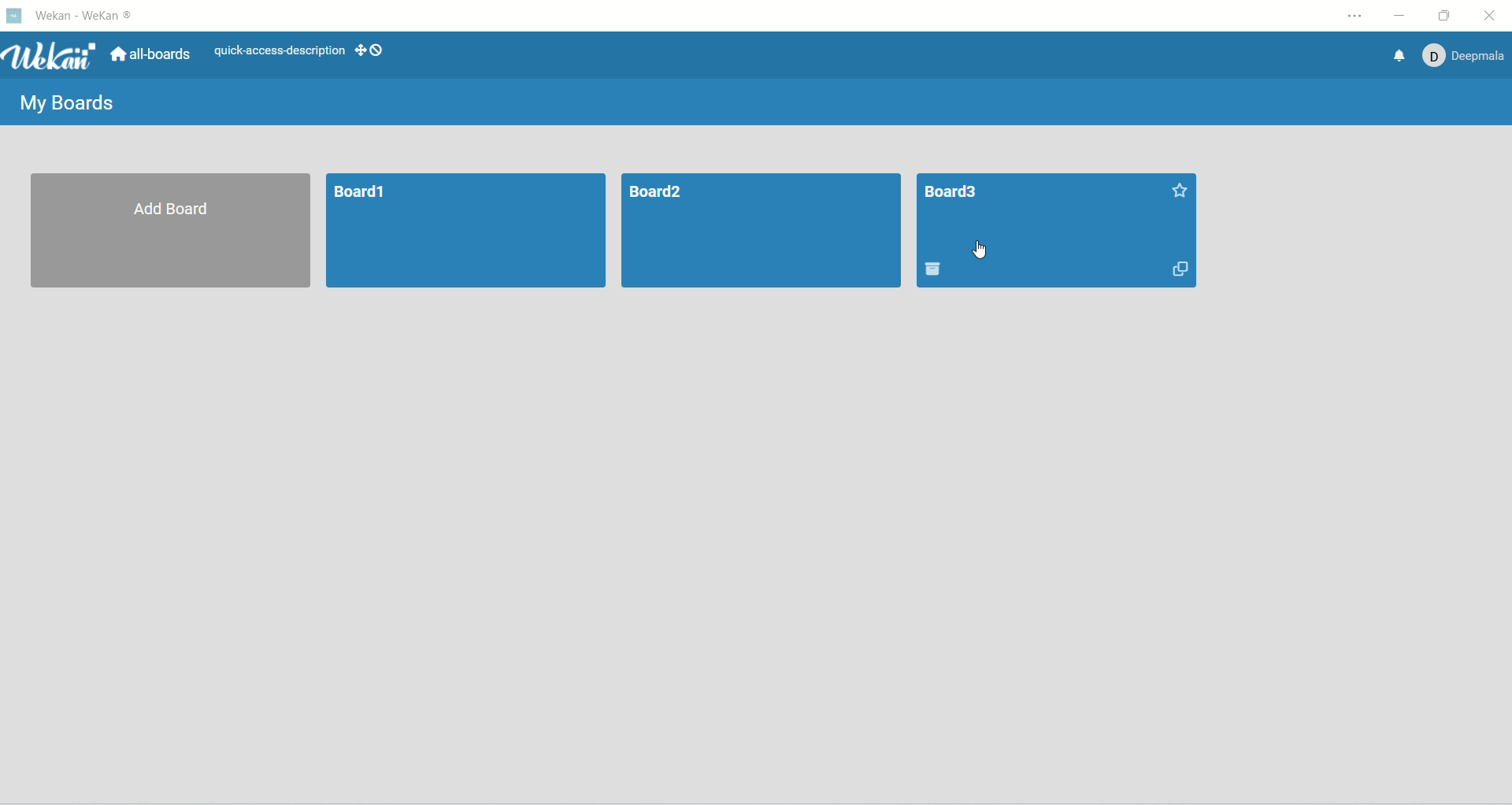 This screenshot has height=805, width=1512. I want to click on board2, so click(764, 232).